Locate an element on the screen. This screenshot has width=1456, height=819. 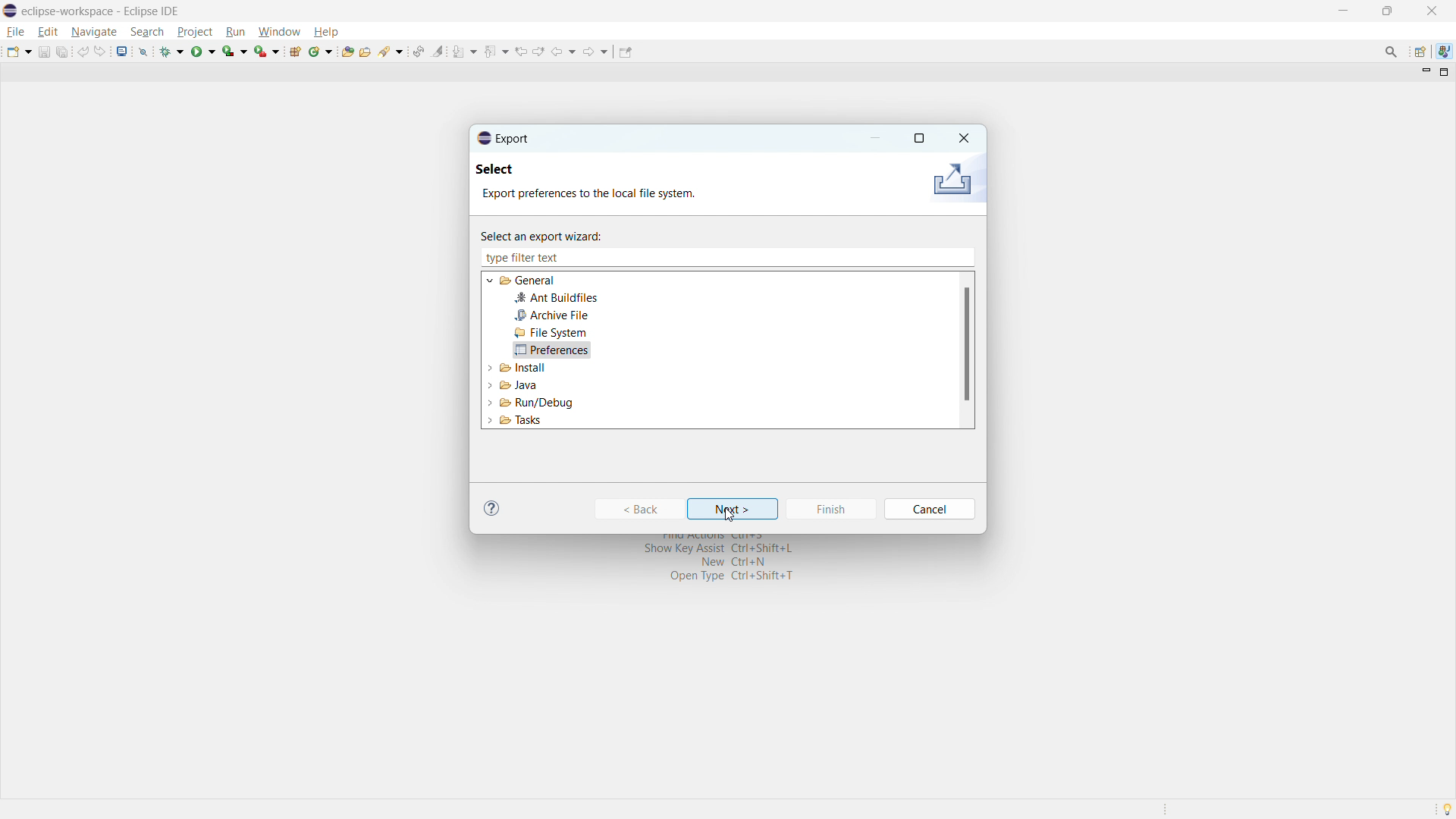
project is located at coordinates (194, 31).